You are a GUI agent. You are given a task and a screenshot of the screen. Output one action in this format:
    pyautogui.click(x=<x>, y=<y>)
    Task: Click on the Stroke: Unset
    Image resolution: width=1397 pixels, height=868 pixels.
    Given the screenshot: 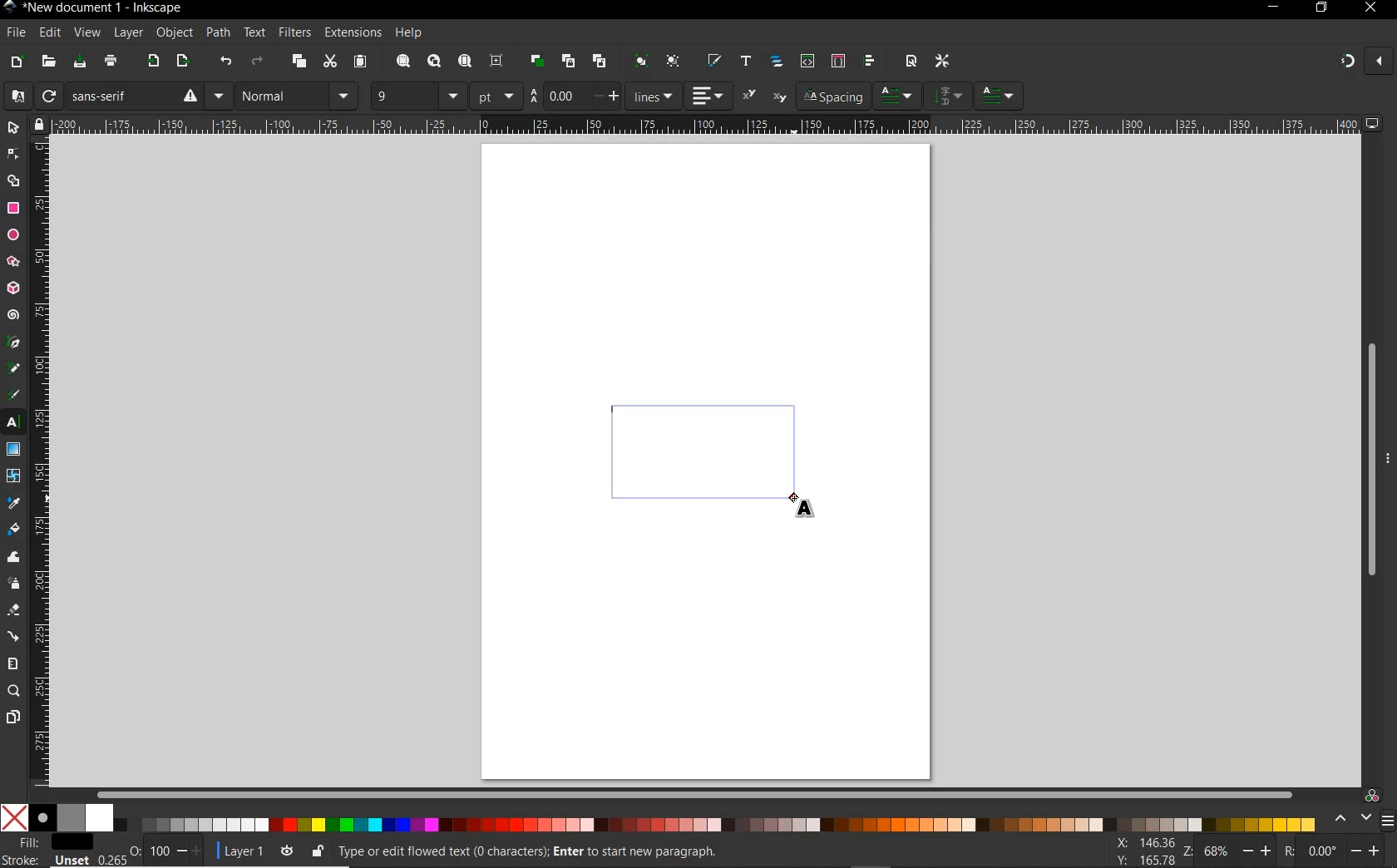 What is the action you would take?
    pyautogui.click(x=46, y=860)
    